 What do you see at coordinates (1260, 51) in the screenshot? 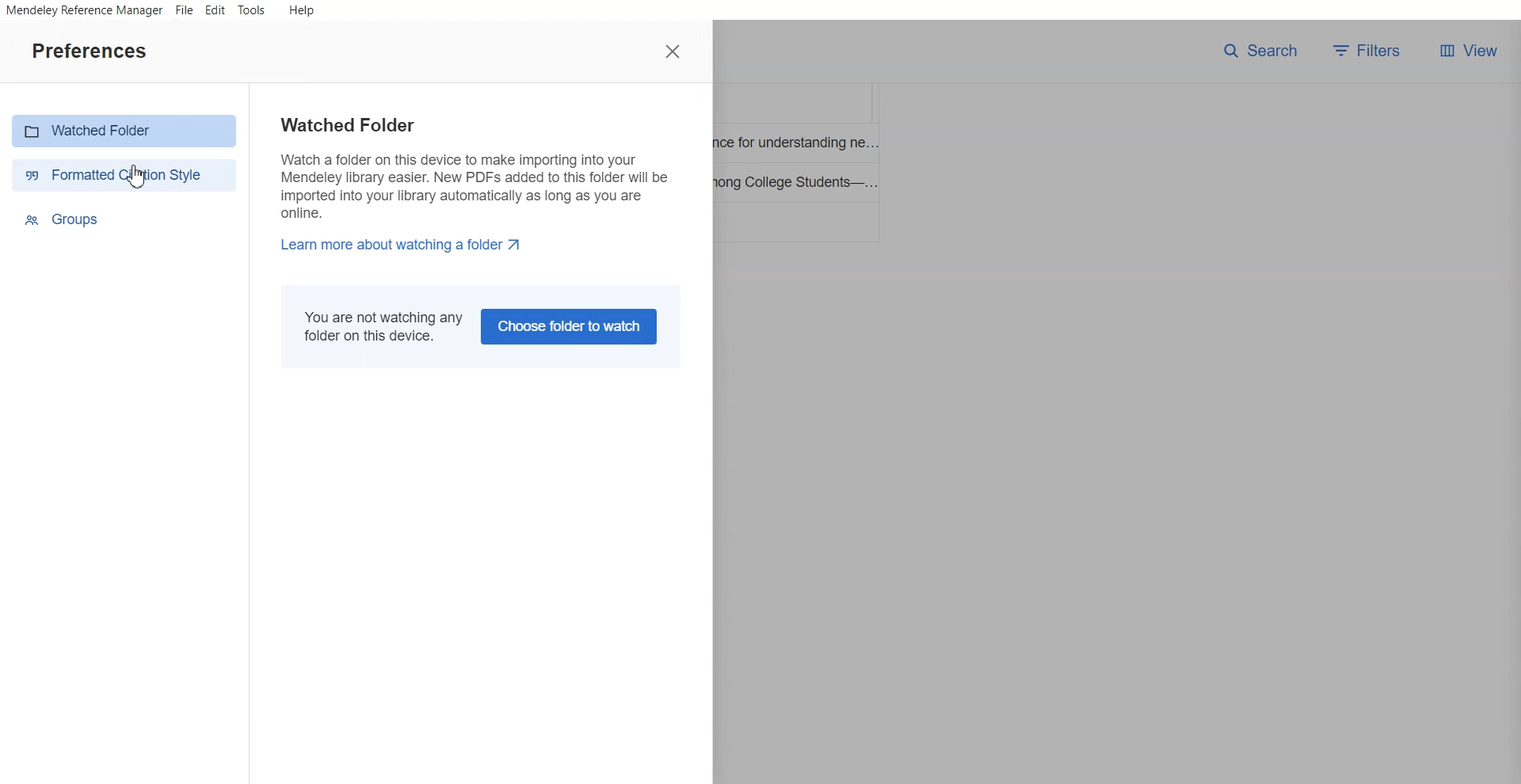
I see `Search` at bounding box center [1260, 51].